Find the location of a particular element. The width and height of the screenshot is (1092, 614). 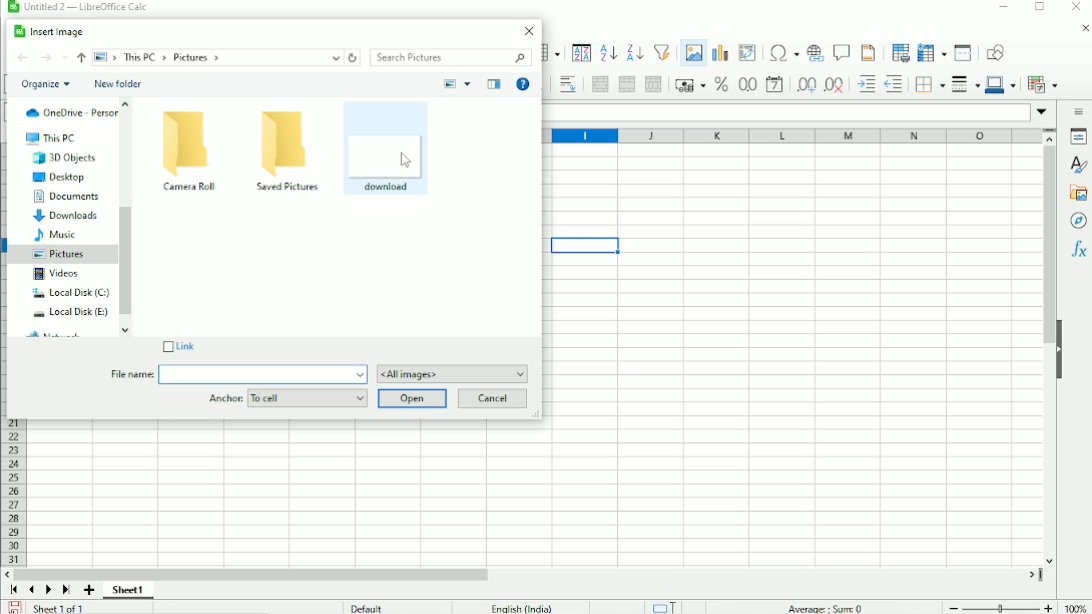

Sort descending is located at coordinates (633, 52).